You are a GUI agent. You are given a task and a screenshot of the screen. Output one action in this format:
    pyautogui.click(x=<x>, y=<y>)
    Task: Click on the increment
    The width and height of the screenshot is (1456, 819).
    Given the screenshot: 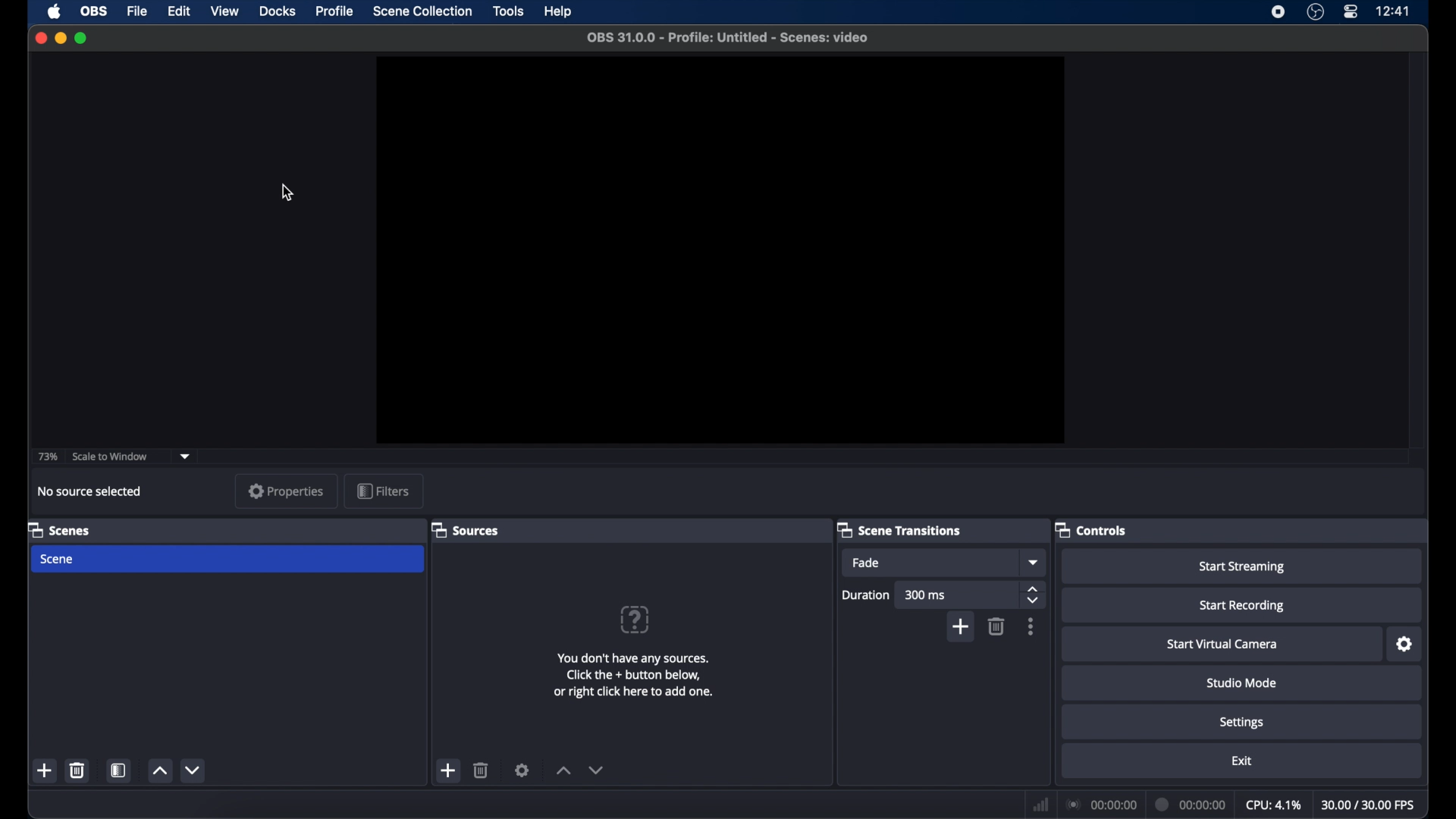 What is the action you would take?
    pyautogui.click(x=565, y=770)
    